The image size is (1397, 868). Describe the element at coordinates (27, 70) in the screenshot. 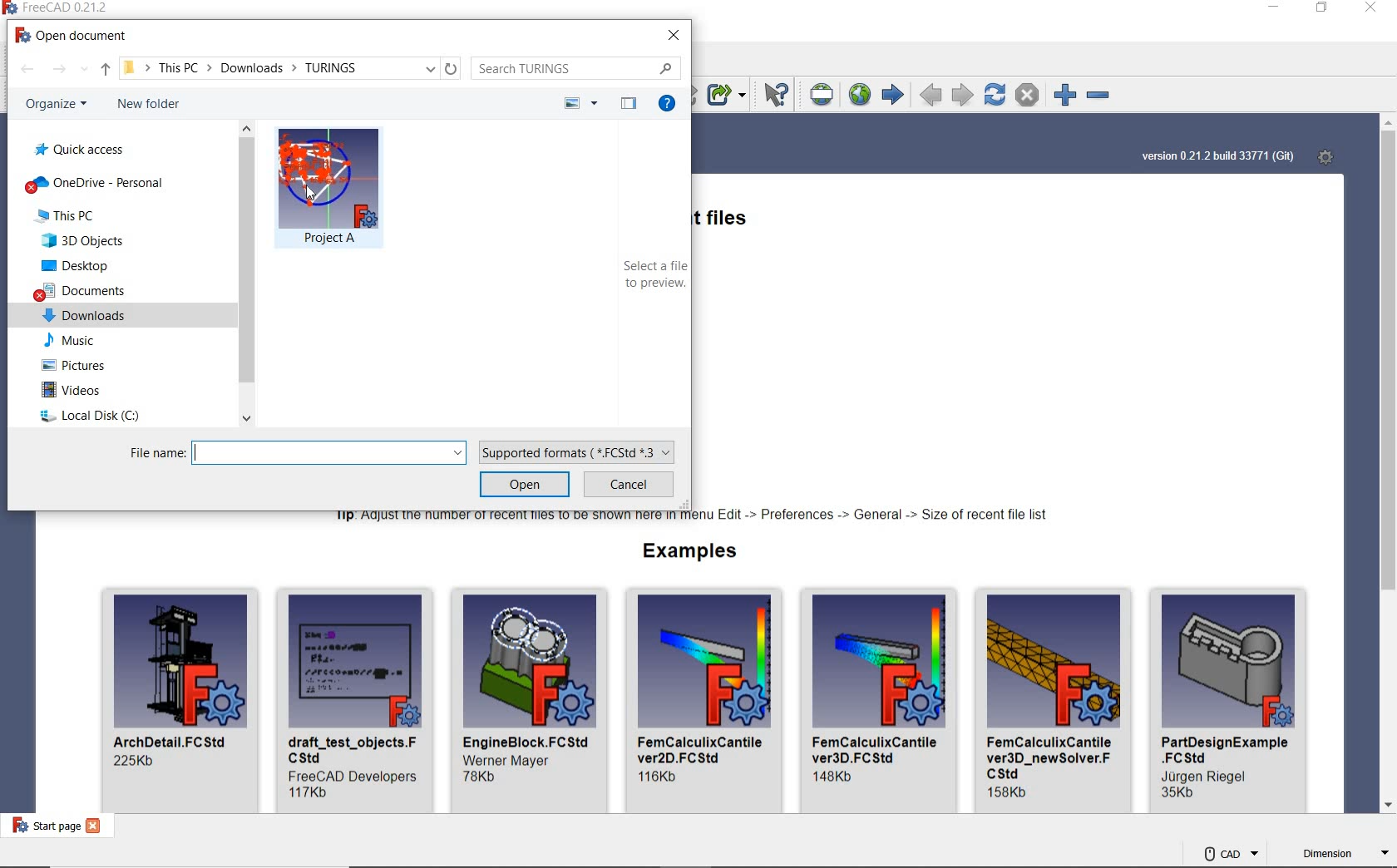

I see `BACK` at that location.